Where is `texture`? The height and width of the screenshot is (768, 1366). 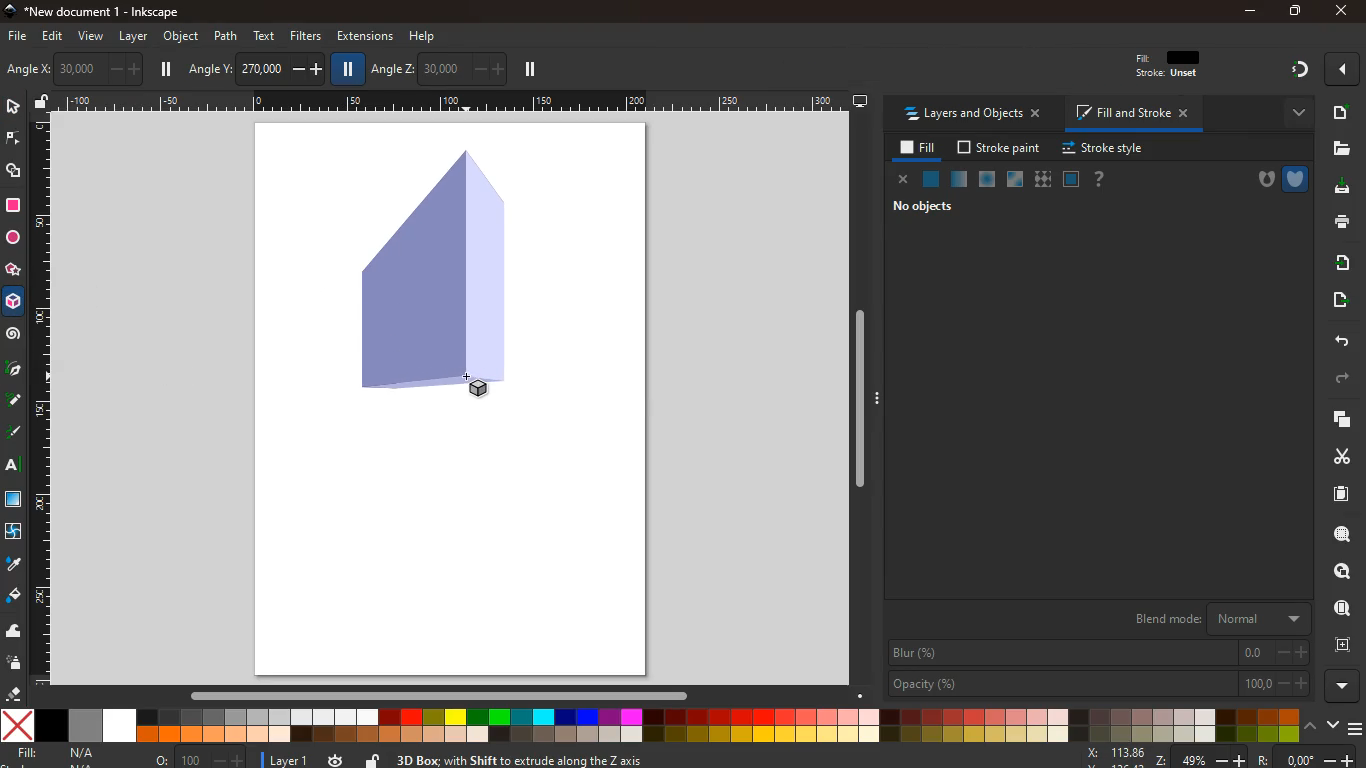 texture is located at coordinates (1043, 179).